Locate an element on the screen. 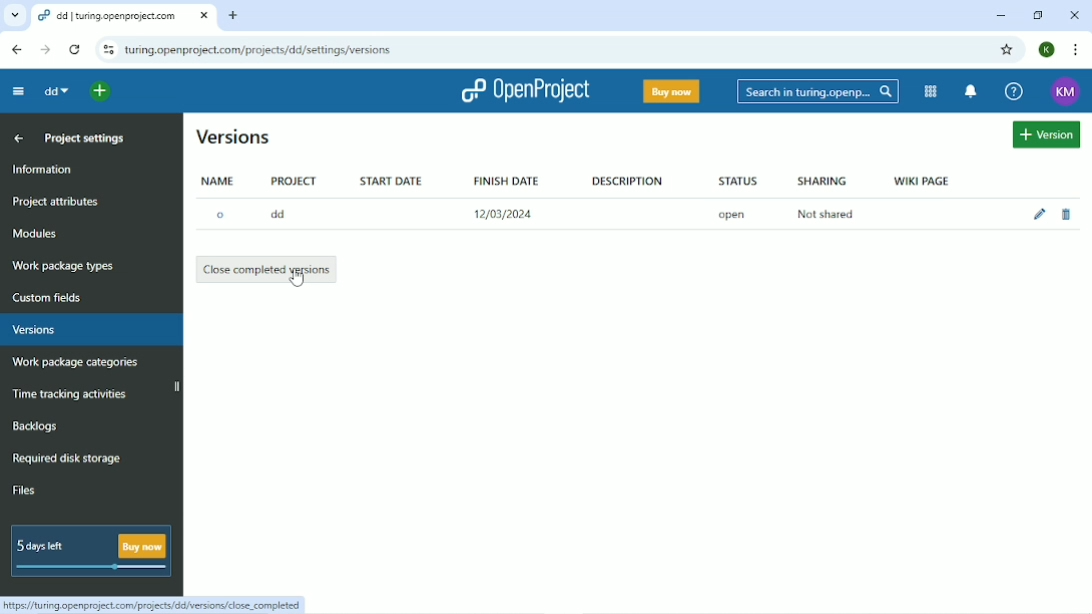  Collapse project menu is located at coordinates (15, 91).